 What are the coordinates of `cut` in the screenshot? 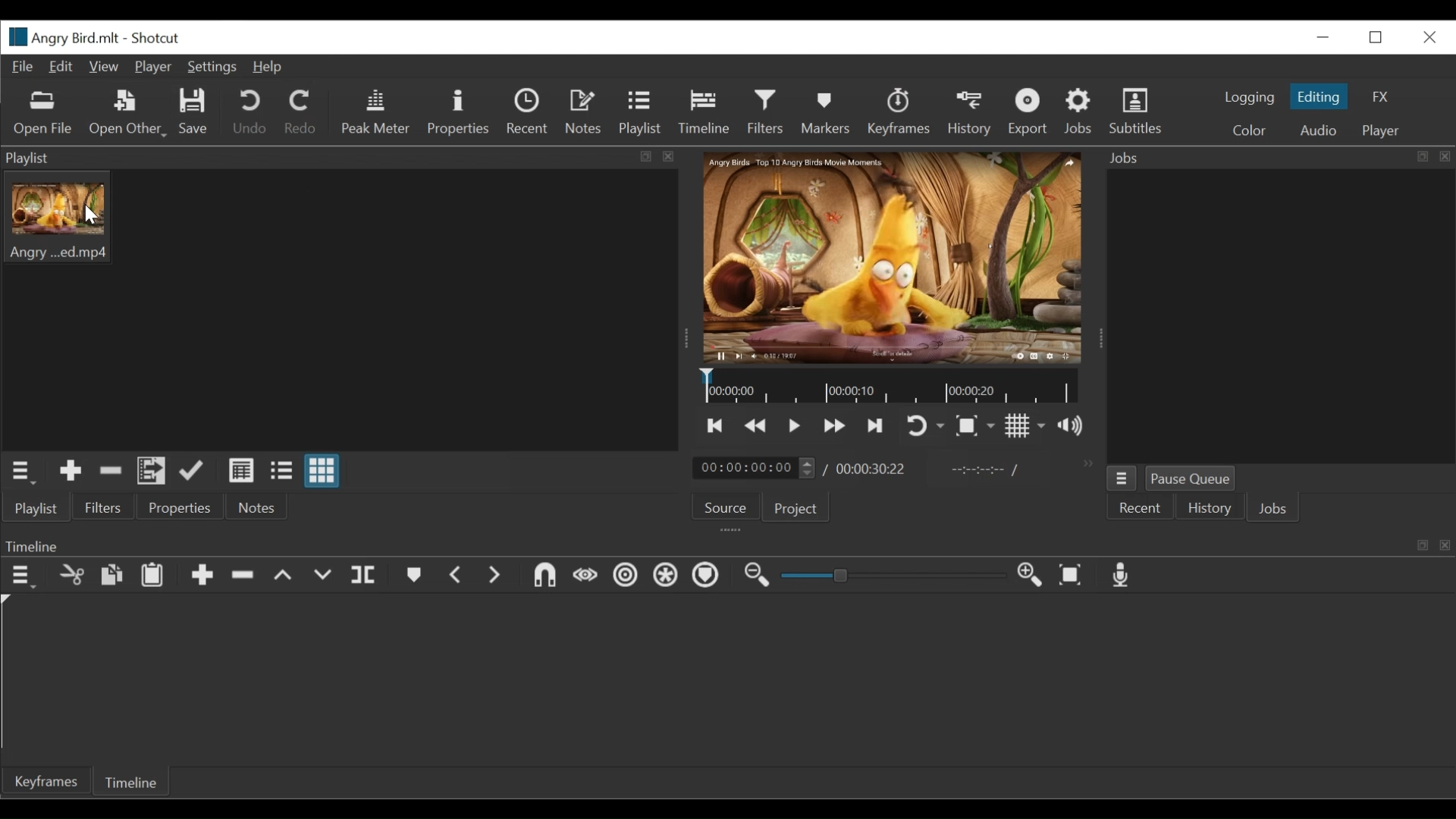 It's located at (70, 575).